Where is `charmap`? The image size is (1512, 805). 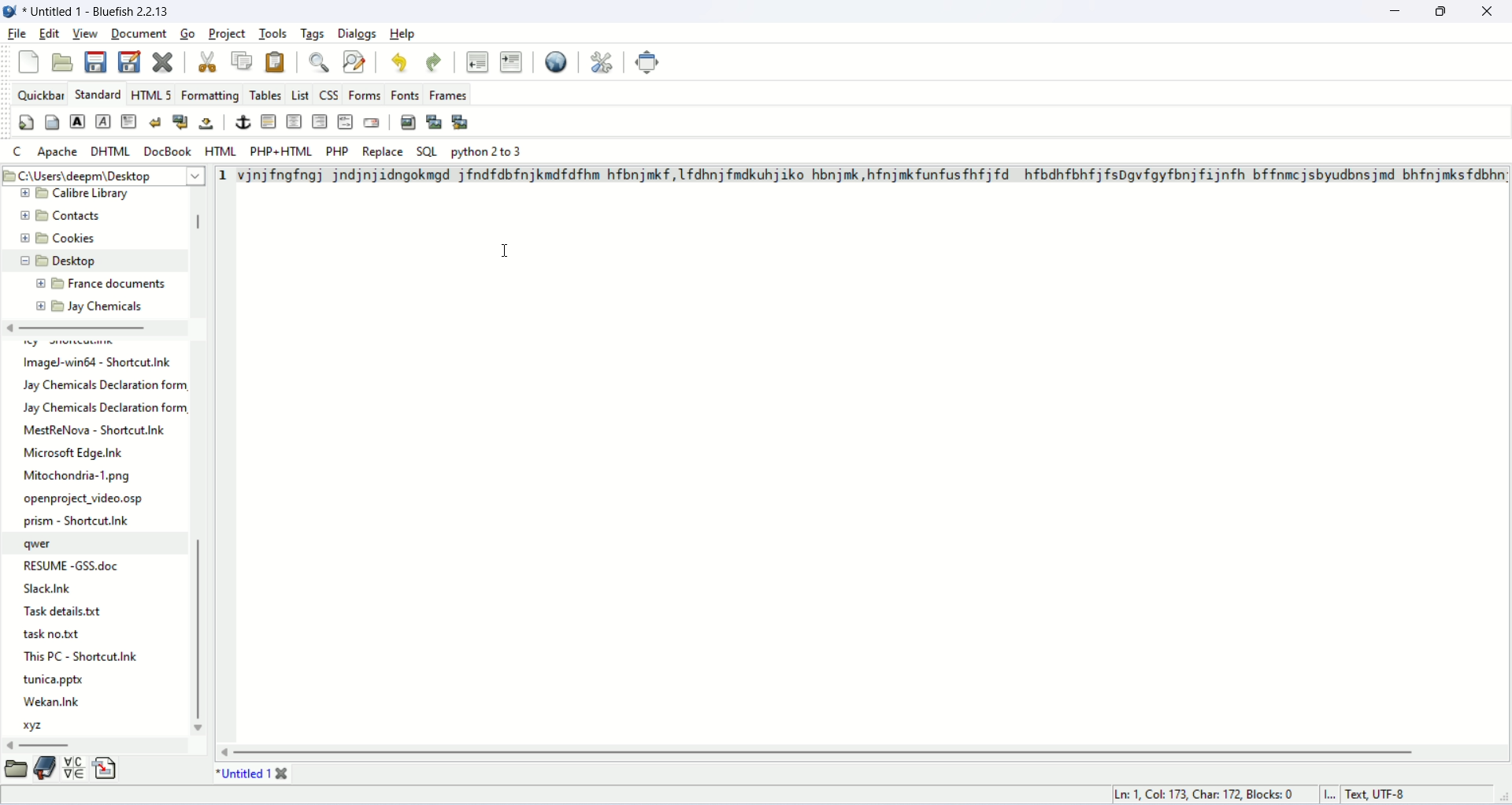
charmap is located at coordinates (72, 770).